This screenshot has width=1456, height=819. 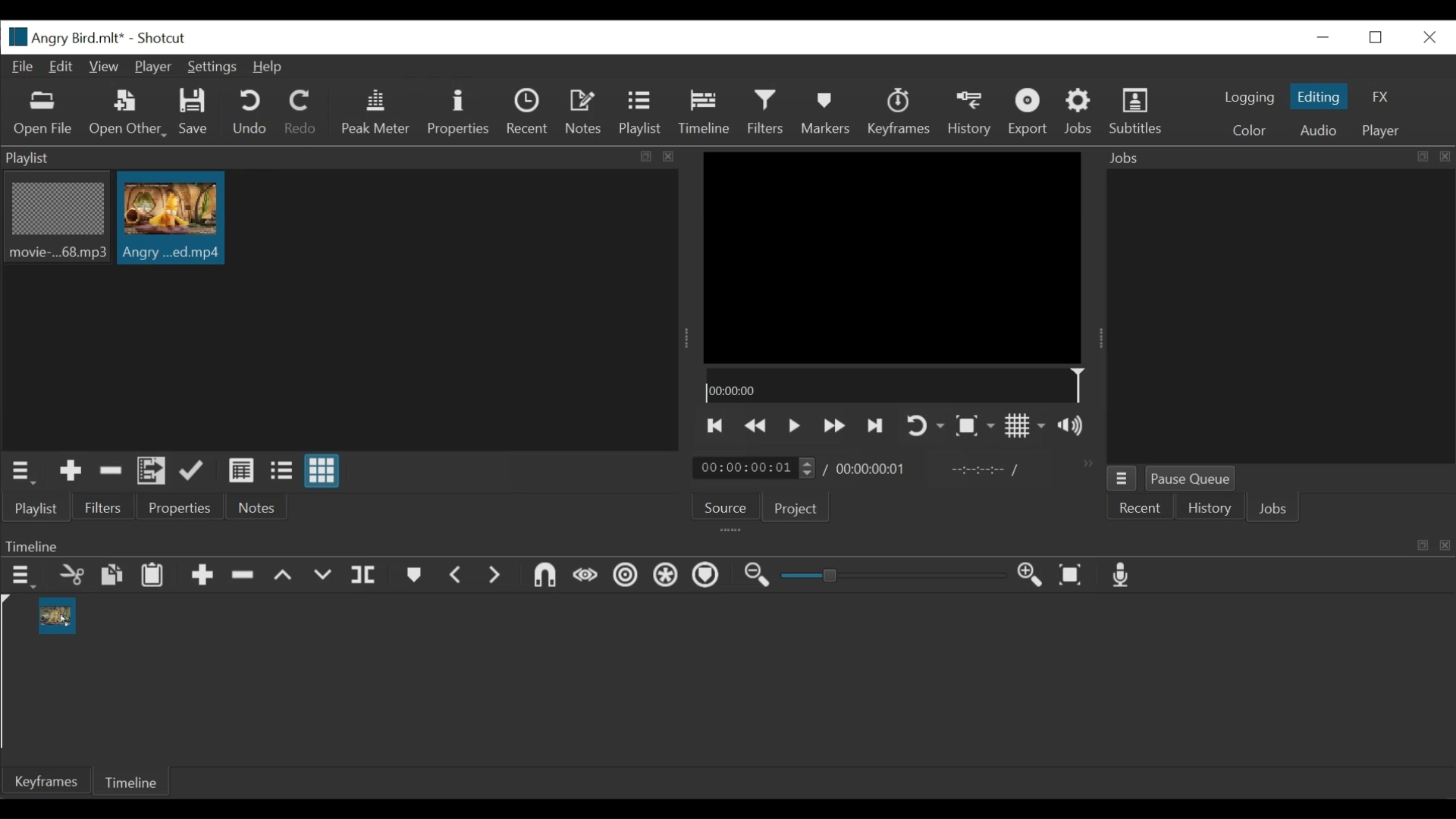 What do you see at coordinates (715, 427) in the screenshot?
I see `Skip to the previous point` at bounding box center [715, 427].